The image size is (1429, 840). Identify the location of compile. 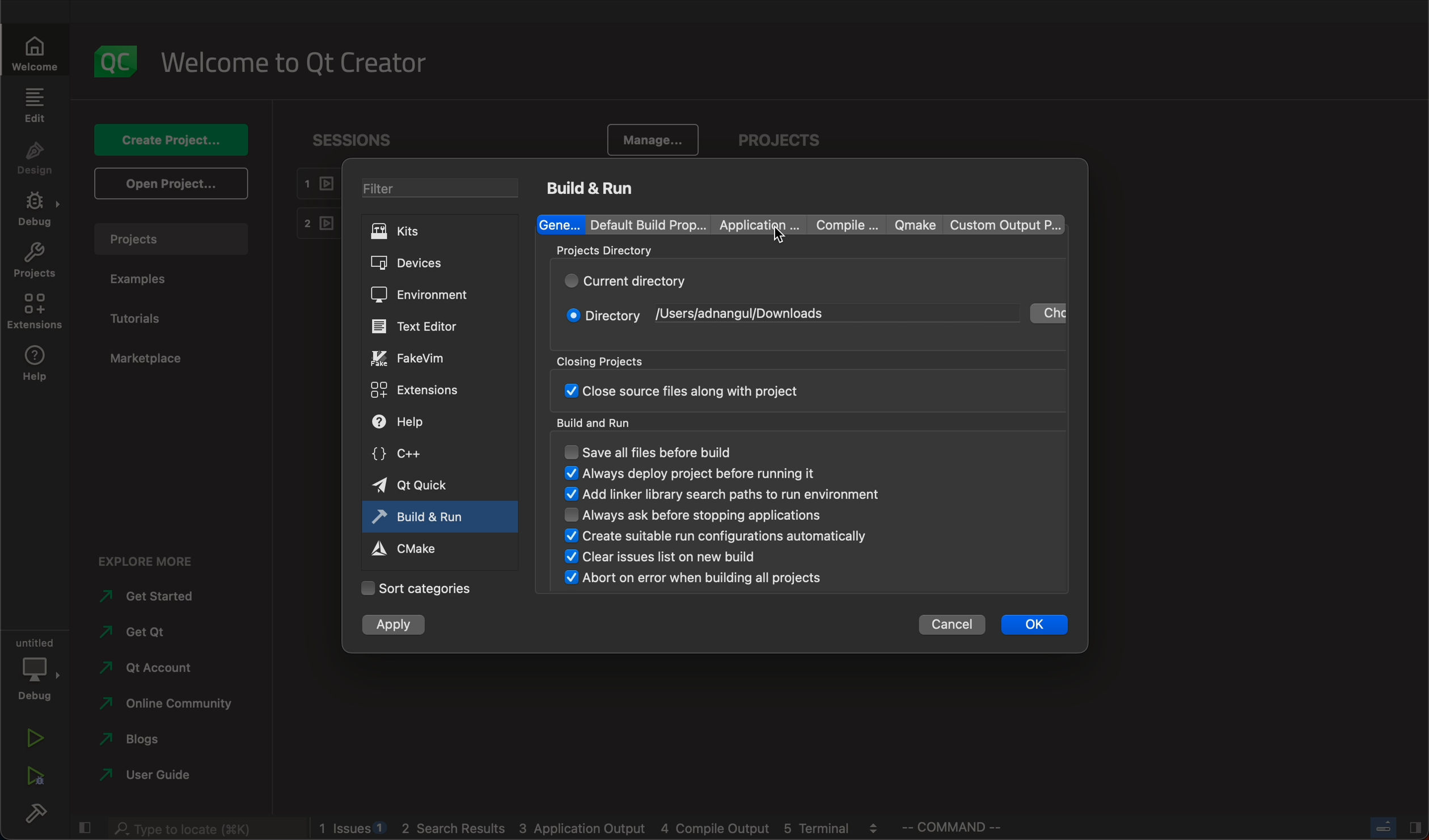
(844, 226).